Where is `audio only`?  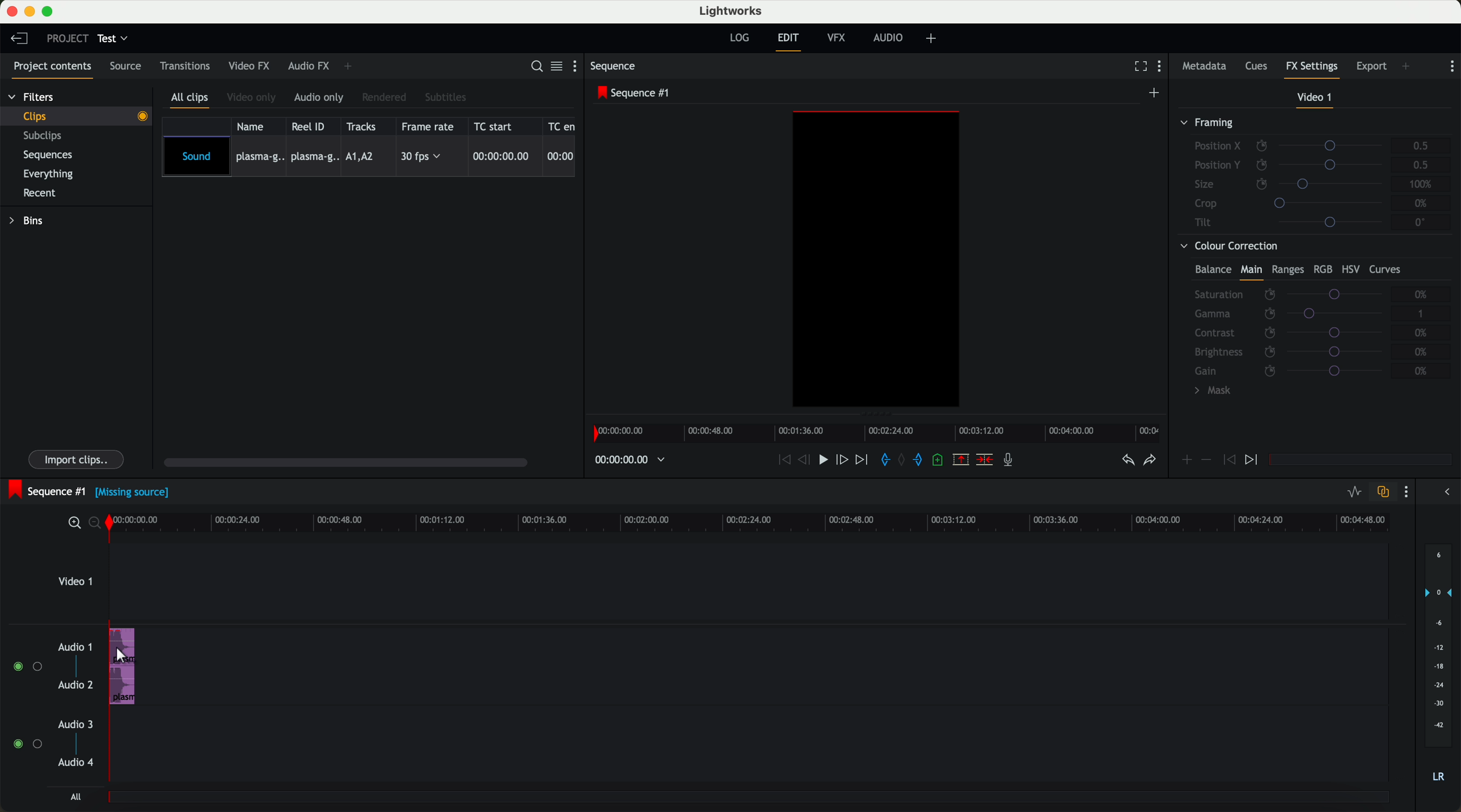 audio only is located at coordinates (320, 98).